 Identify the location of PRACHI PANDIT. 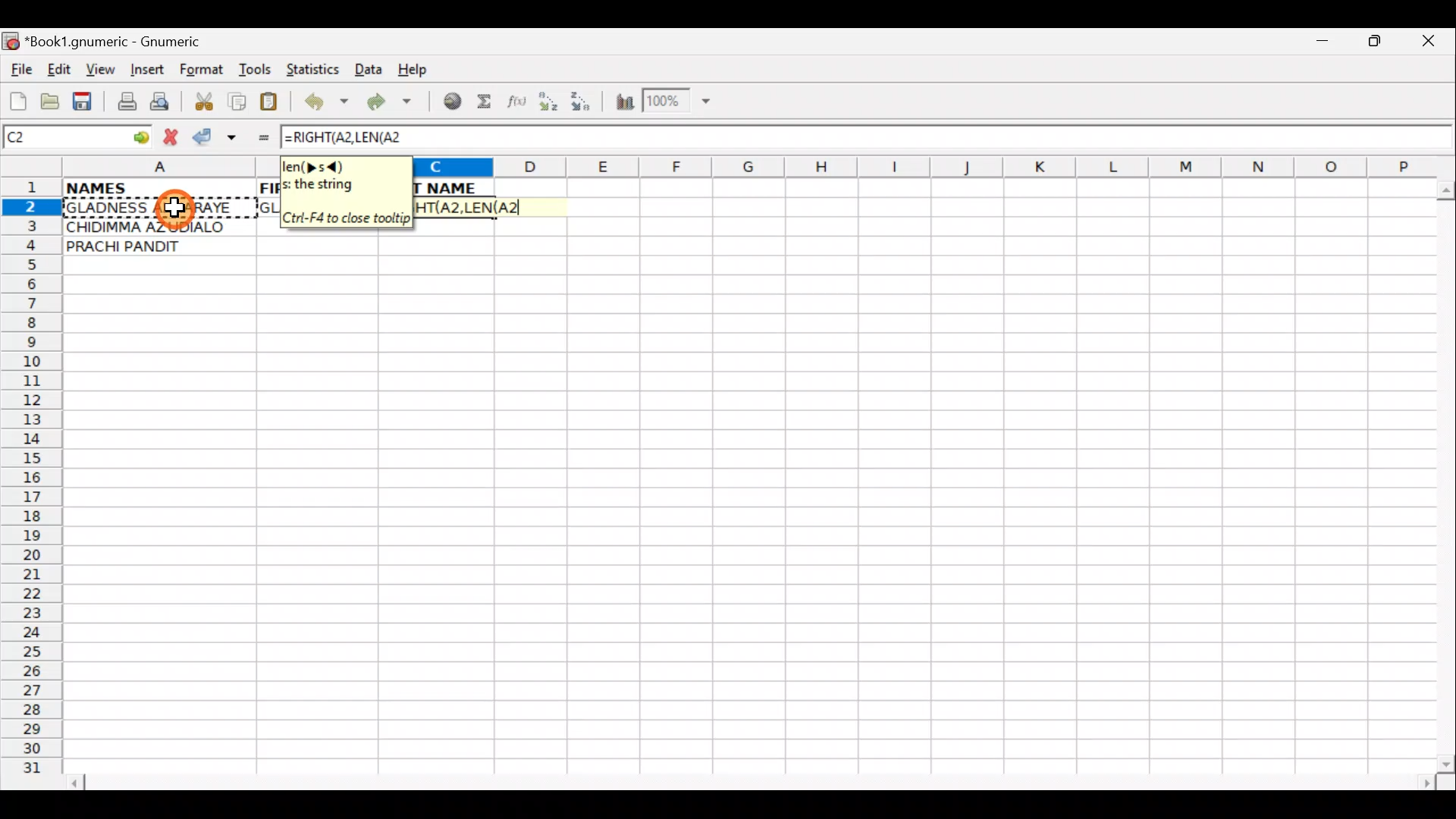
(149, 246).